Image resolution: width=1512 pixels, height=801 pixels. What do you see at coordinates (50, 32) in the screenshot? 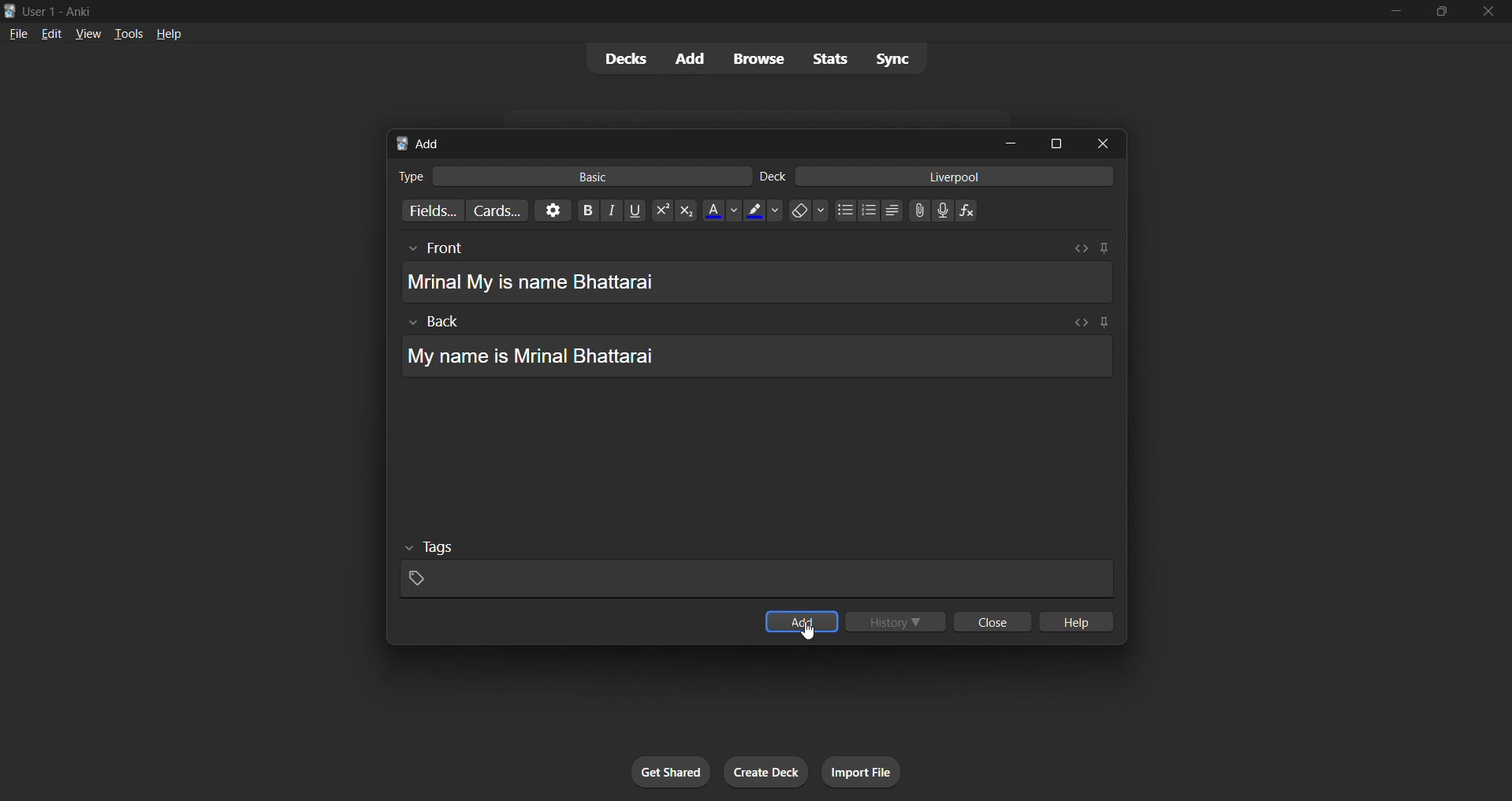
I see `edit` at bounding box center [50, 32].